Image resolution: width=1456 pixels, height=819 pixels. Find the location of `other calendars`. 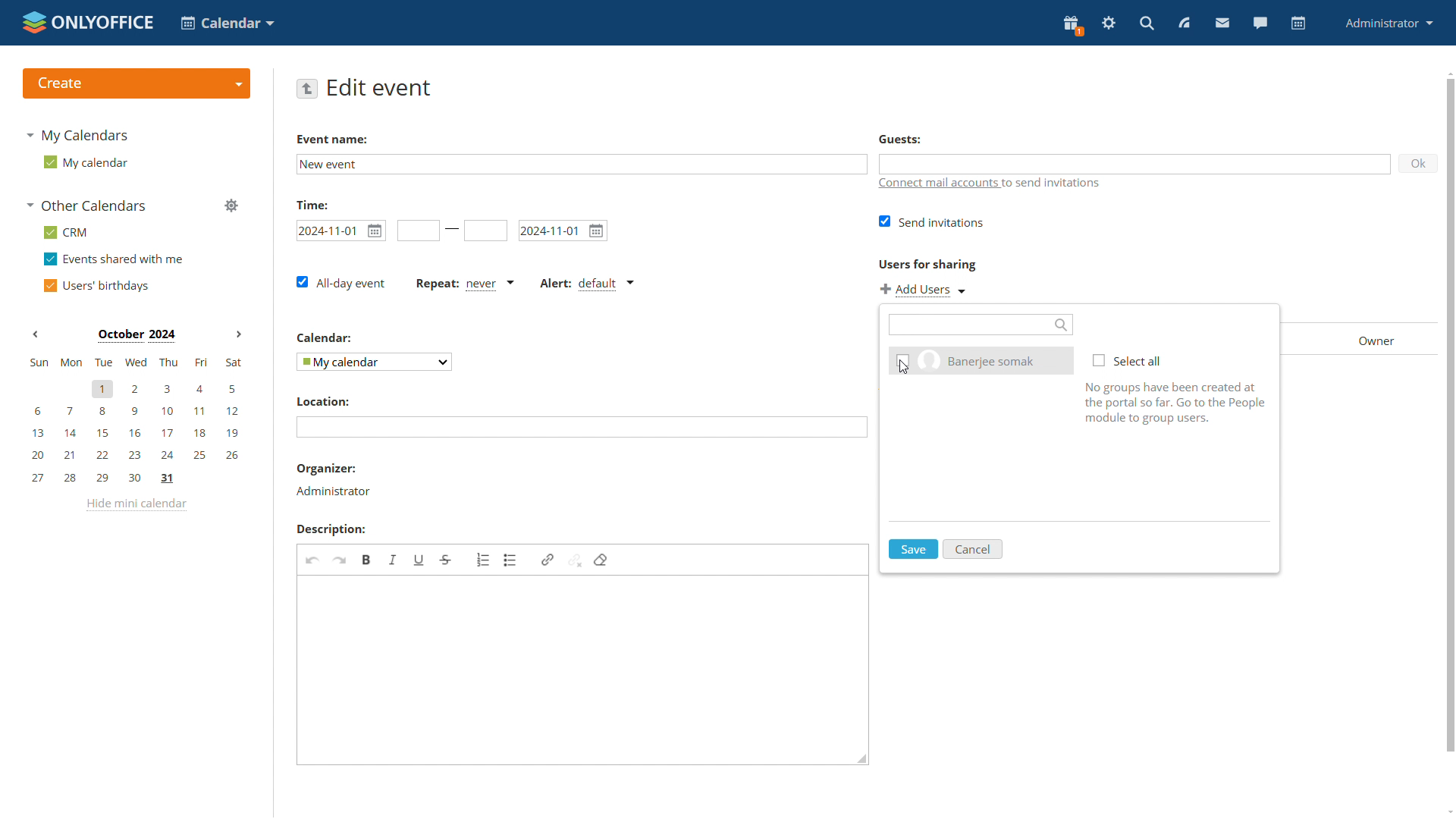

other calendars is located at coordinates (88, 206).